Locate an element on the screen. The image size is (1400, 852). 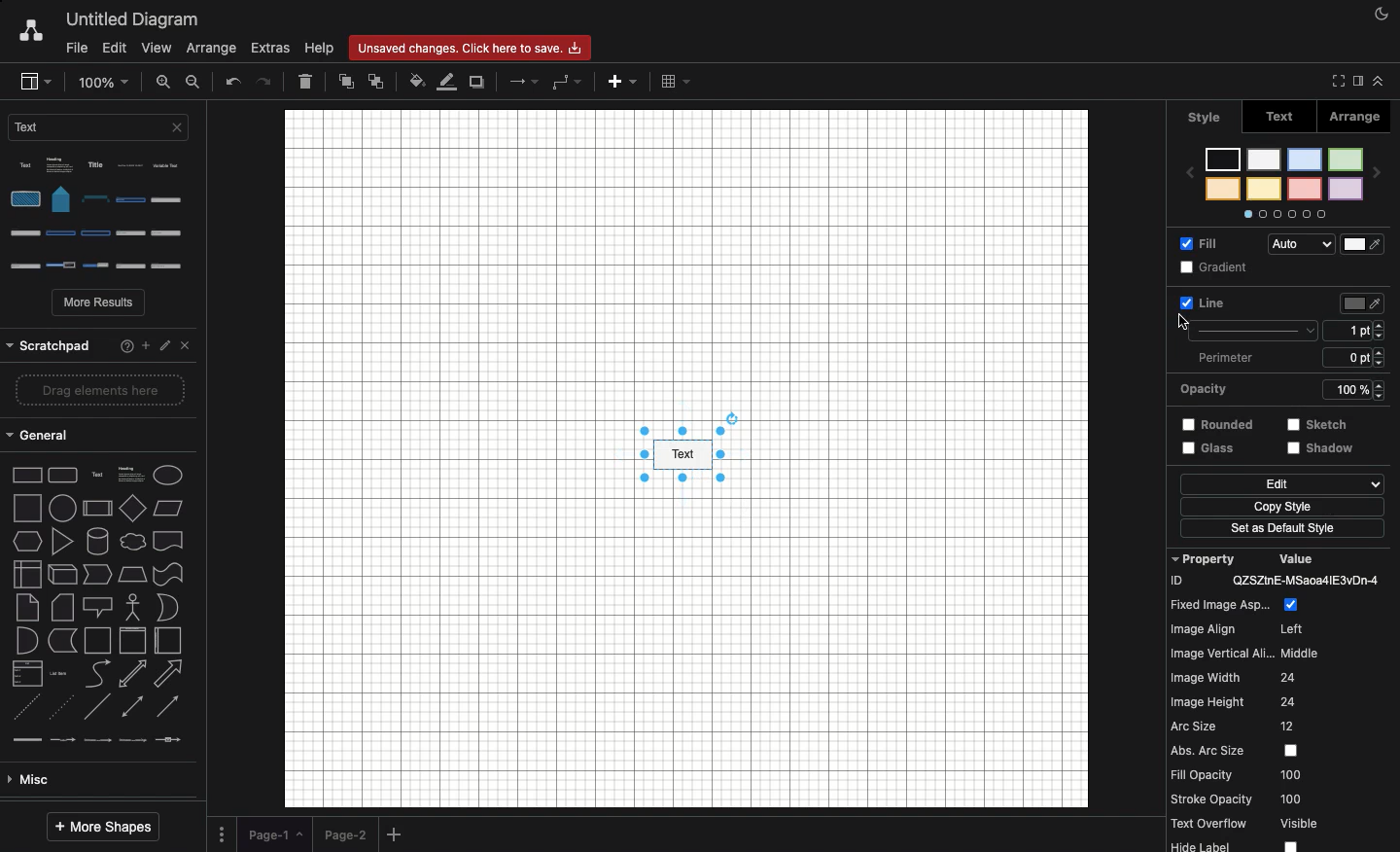
shape is located at coordinates (101, 502).